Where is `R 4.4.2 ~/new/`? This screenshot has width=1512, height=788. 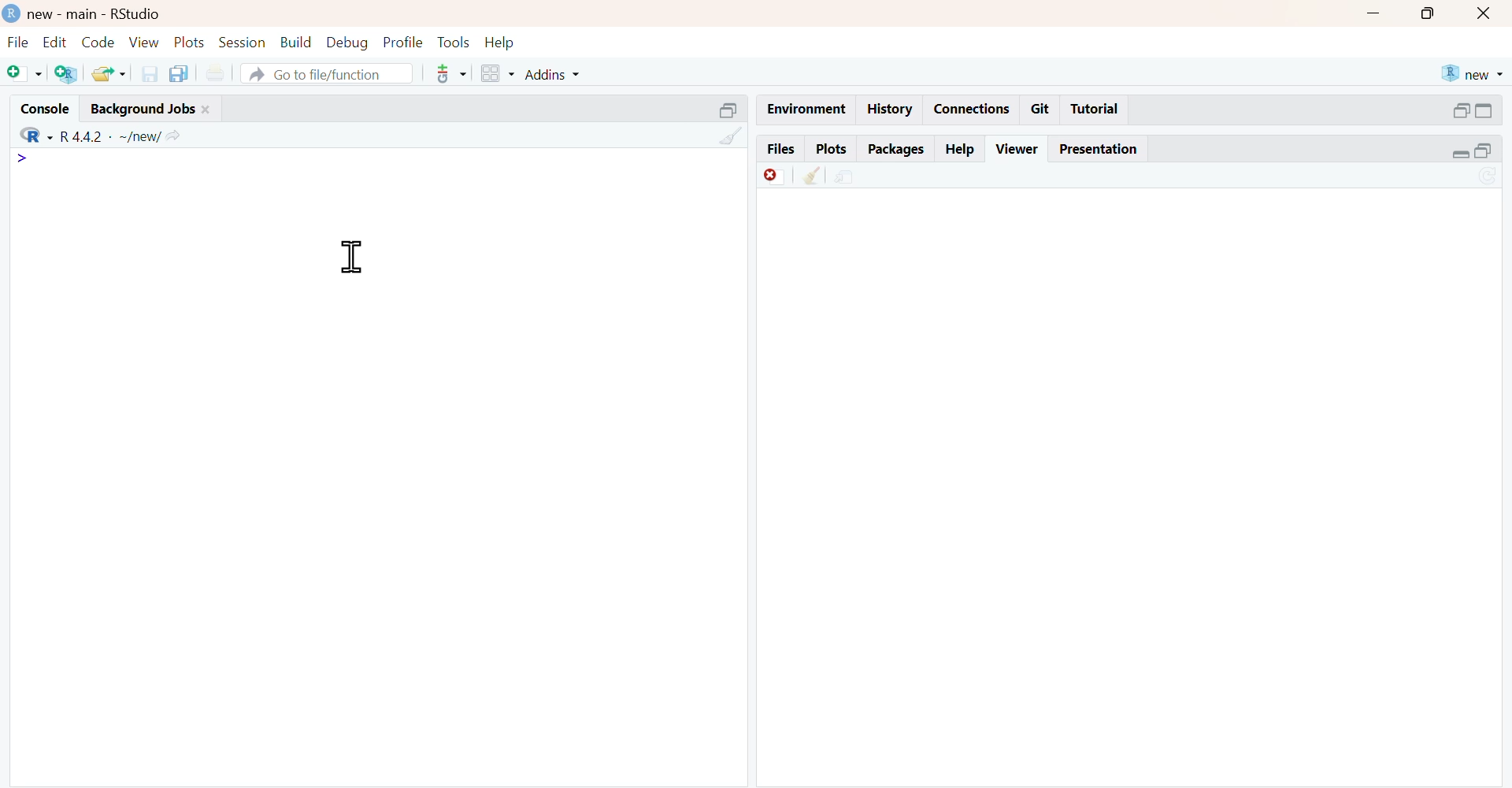
R 4.4.2 ~/new/ is located at coordinates (111, 137).